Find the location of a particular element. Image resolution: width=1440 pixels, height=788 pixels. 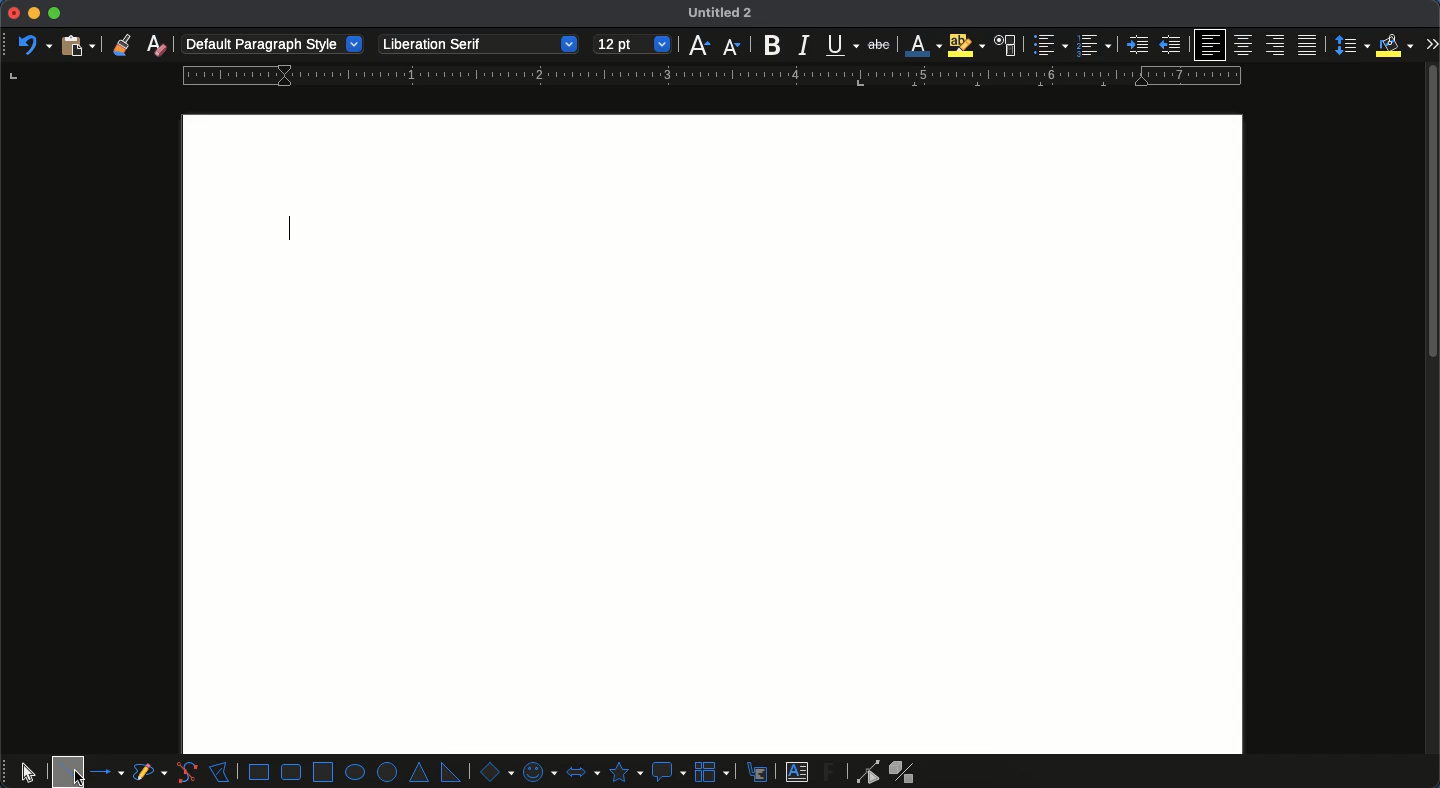

curves and polygons is located at coordinates (150, 773).